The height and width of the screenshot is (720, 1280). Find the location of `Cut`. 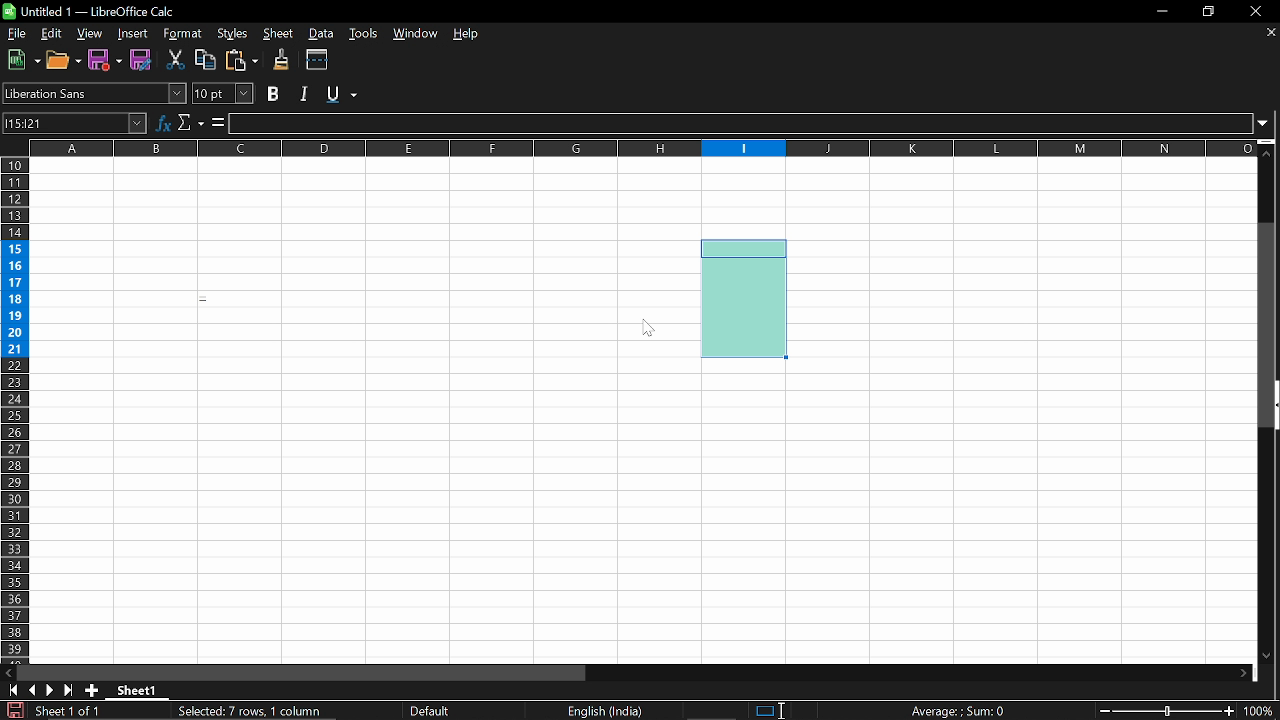

Cut is located at coordinates (176, 62).